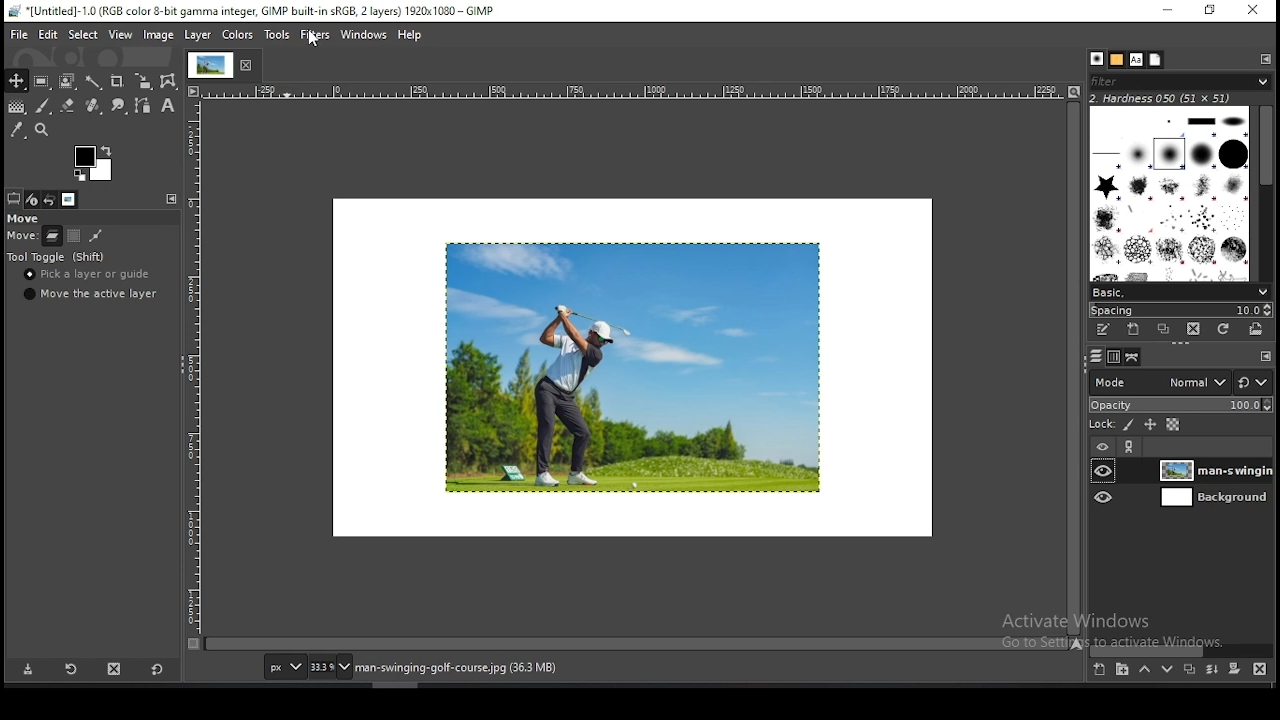 Image resolution: width=1280 pixels, height=720 pixels. I want to click on link, so click(1130, 446).